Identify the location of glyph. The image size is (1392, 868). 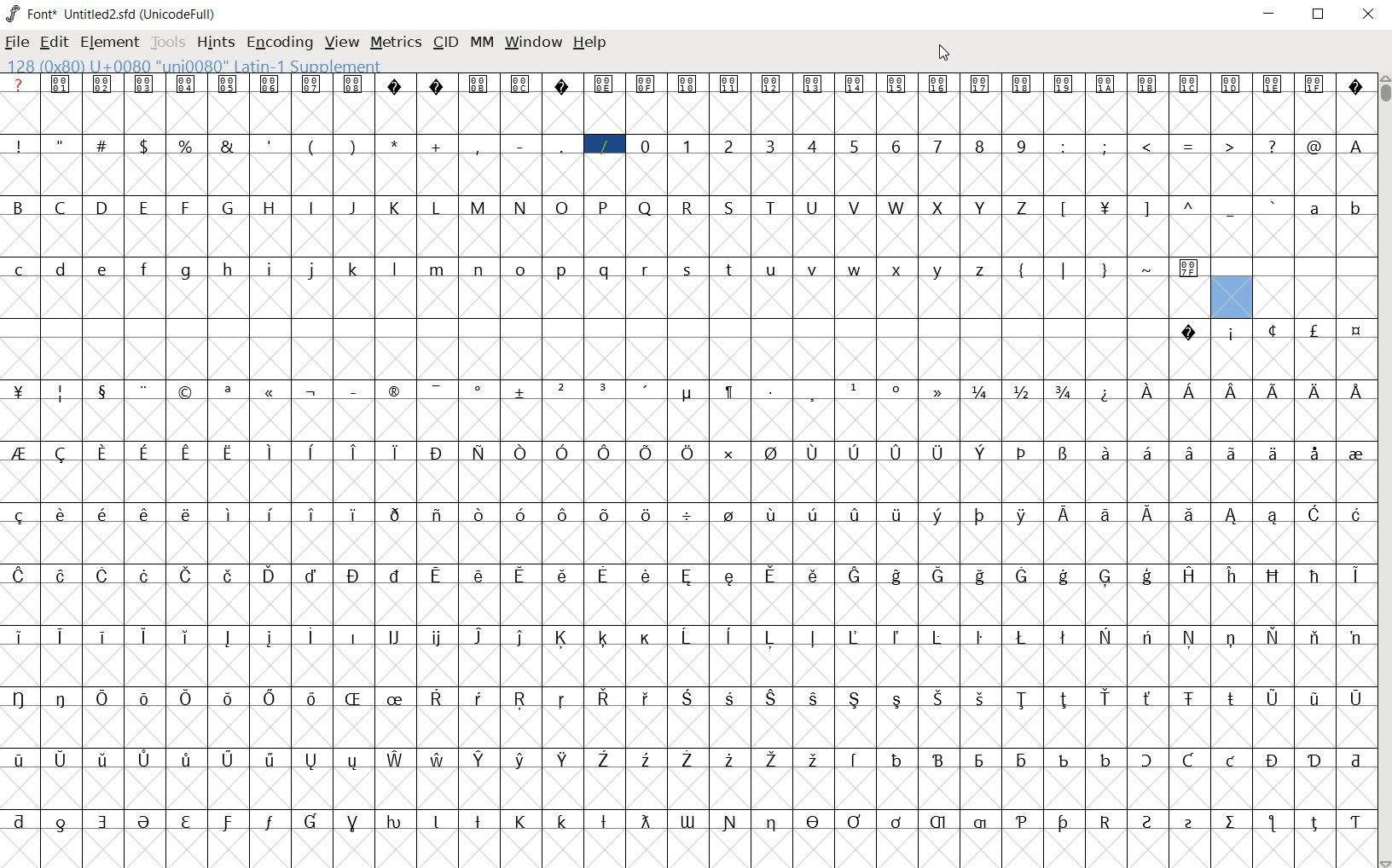
(1064, 454).